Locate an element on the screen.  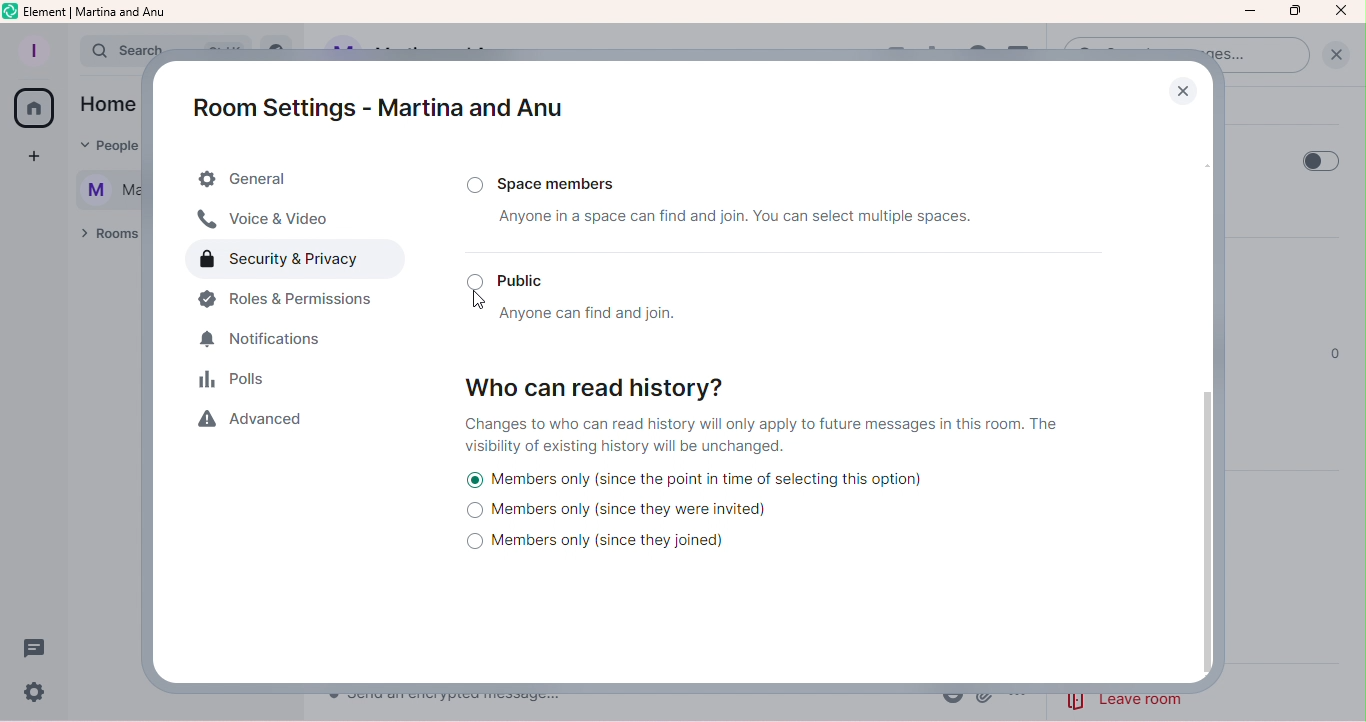
leave room is located at coordinates (1125, 699).